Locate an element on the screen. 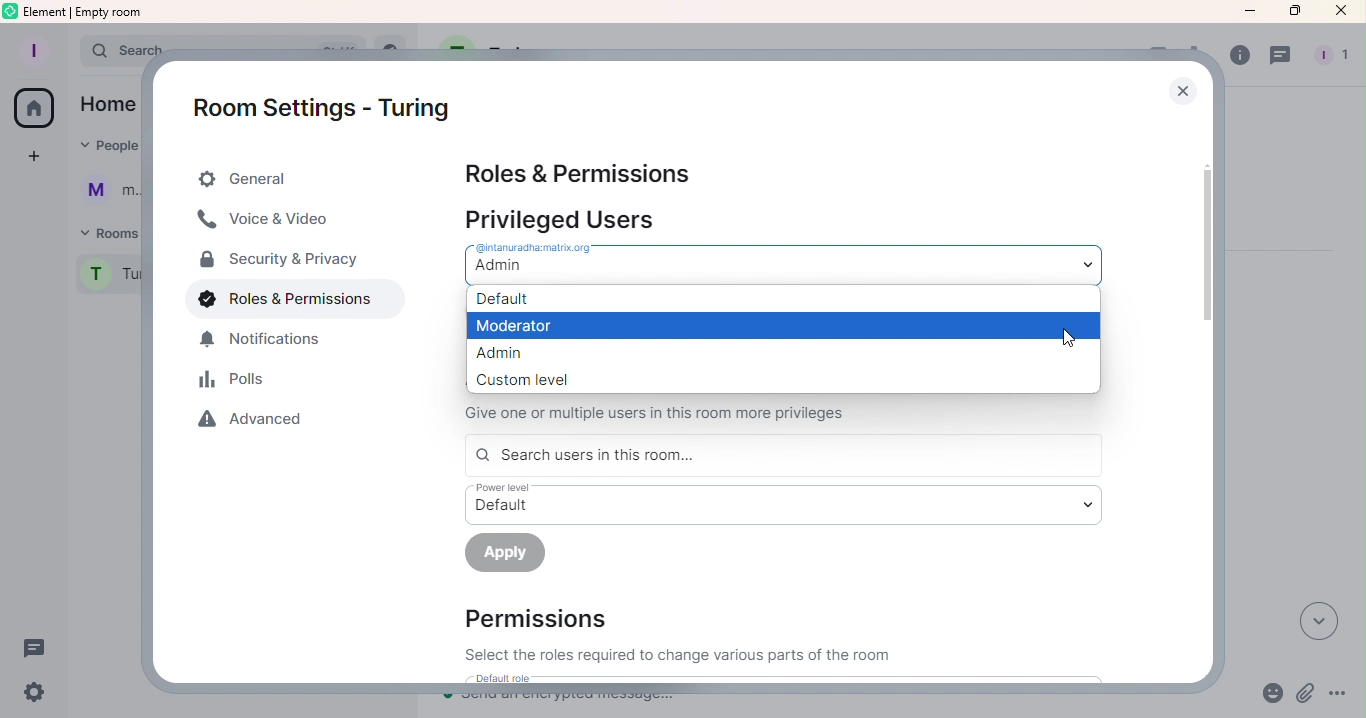  Close is located at coordinates (1181, 87).